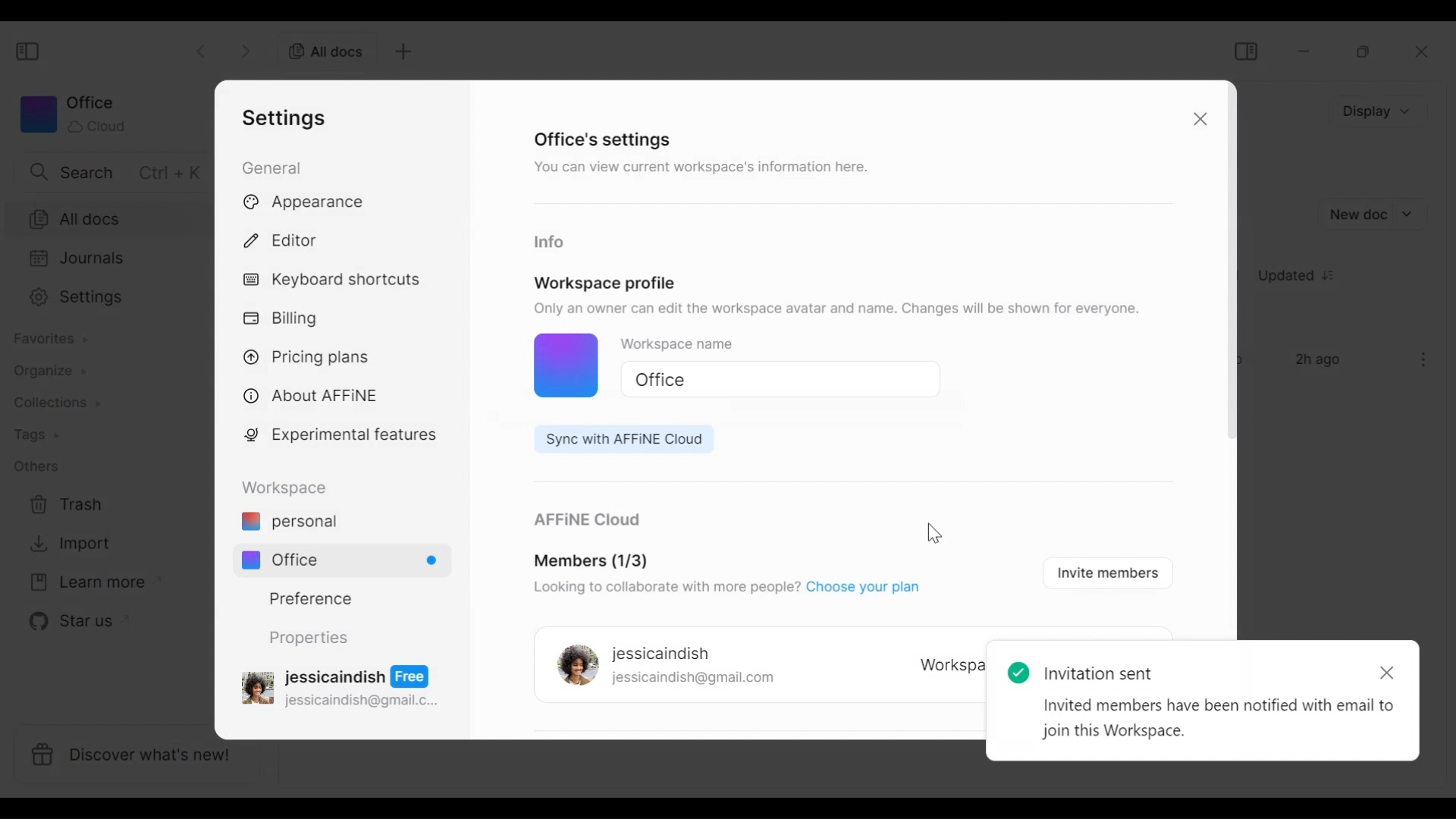 This screenshot has width=1456, height=819. Describe the element at coordinates (105, 297) in the screenshot. I see `Settings` at that location.